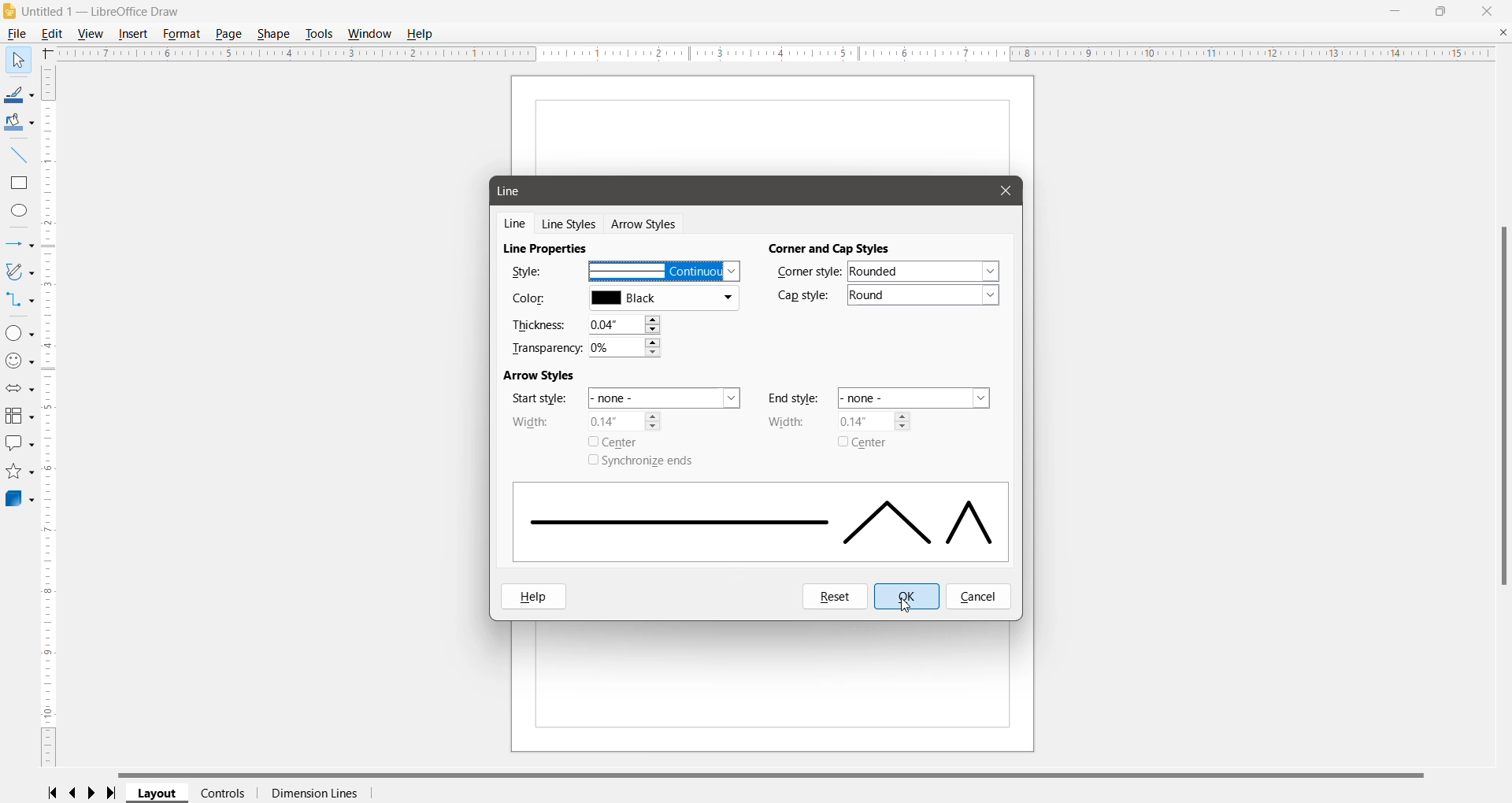  Describe the element at coordinates (547, 348) in the screenshot. I see `Transparency` at that location.